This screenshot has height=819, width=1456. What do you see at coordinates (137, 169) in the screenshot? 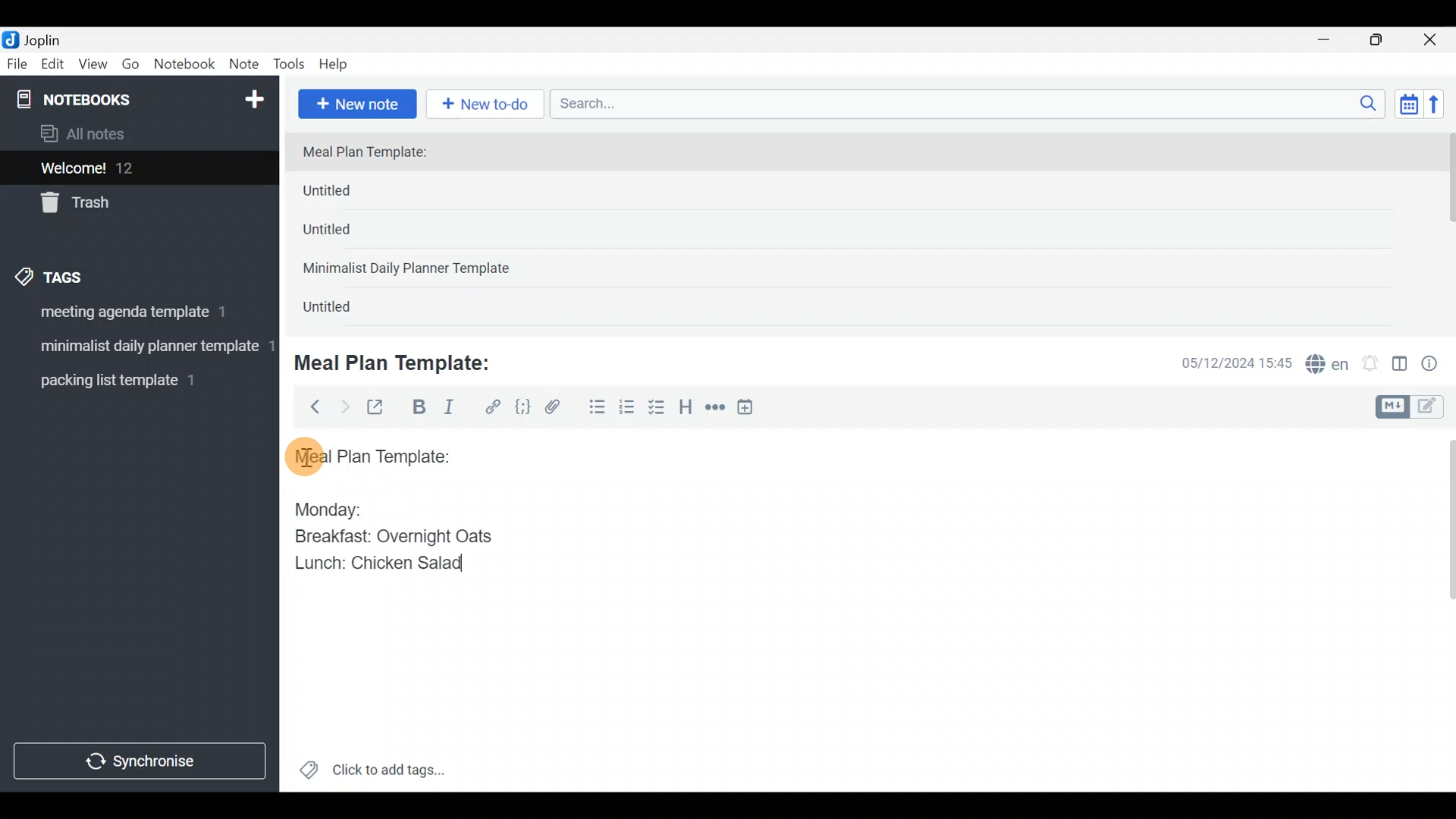
I see `Welcome!` at bounding box center [137, 169].